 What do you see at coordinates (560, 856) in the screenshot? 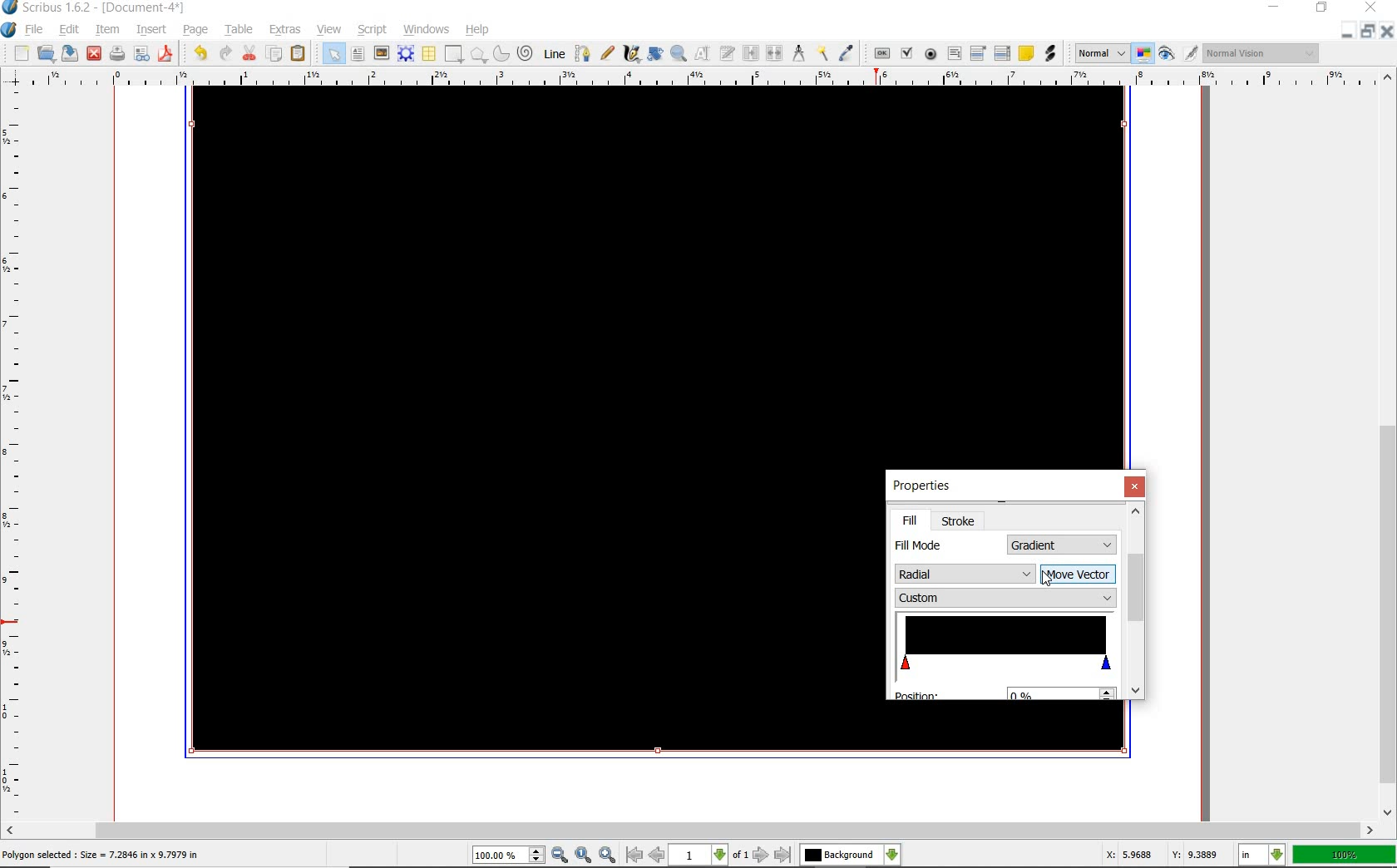
I see `zoom out` at bounding box center [560, 856].